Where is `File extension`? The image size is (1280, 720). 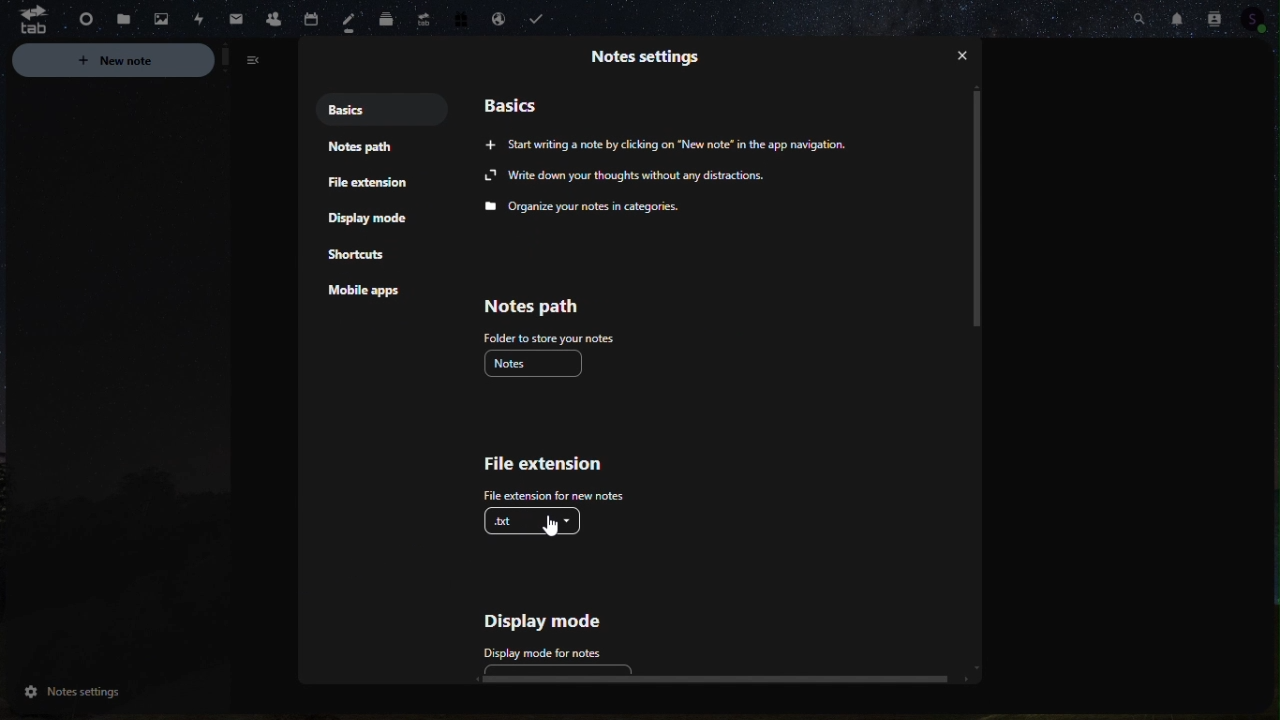 File extension is located at coordinates (371, 184).